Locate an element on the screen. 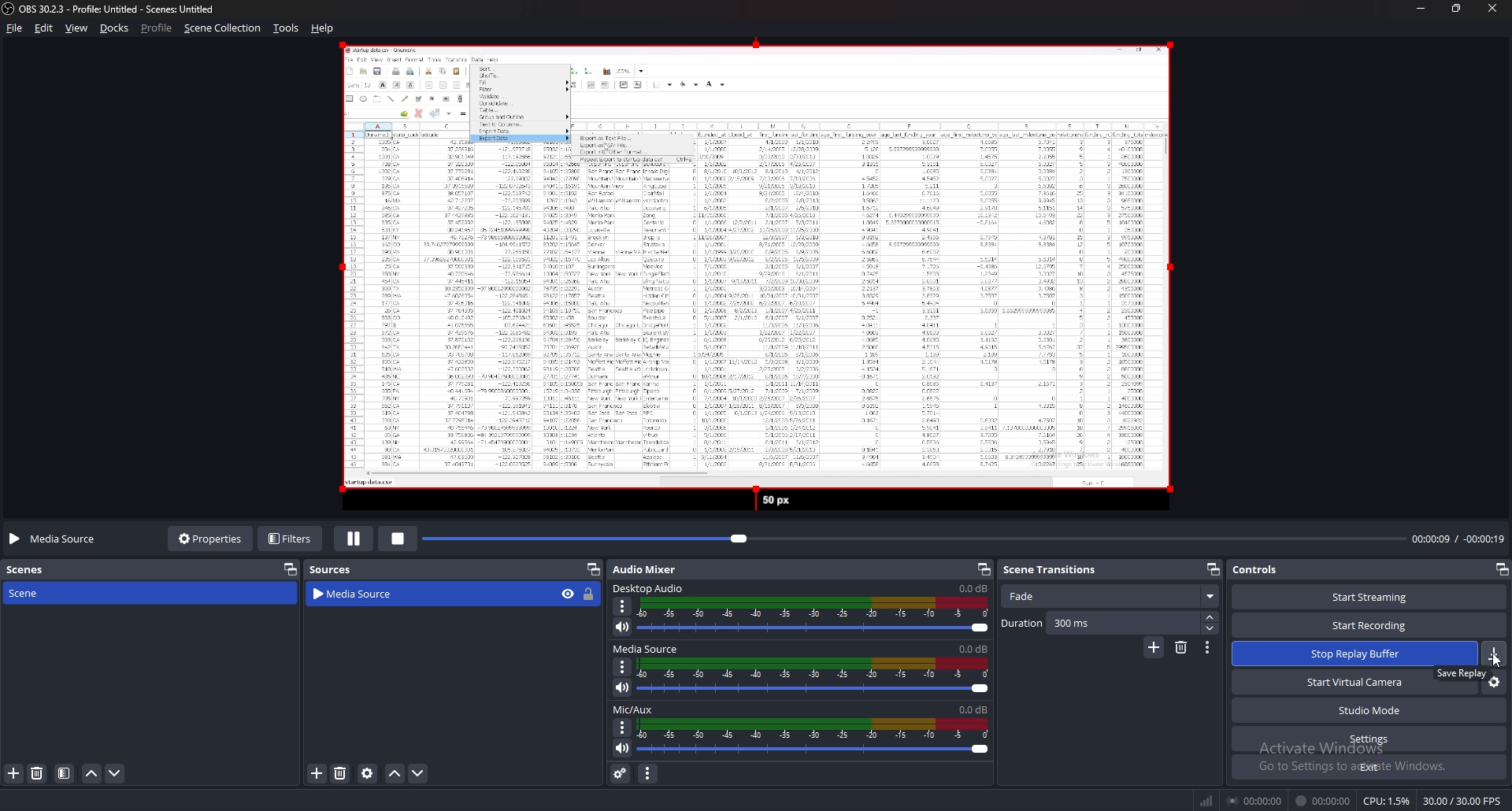 The image size is (1512, 811). pause is located at coordinates (353, 540).